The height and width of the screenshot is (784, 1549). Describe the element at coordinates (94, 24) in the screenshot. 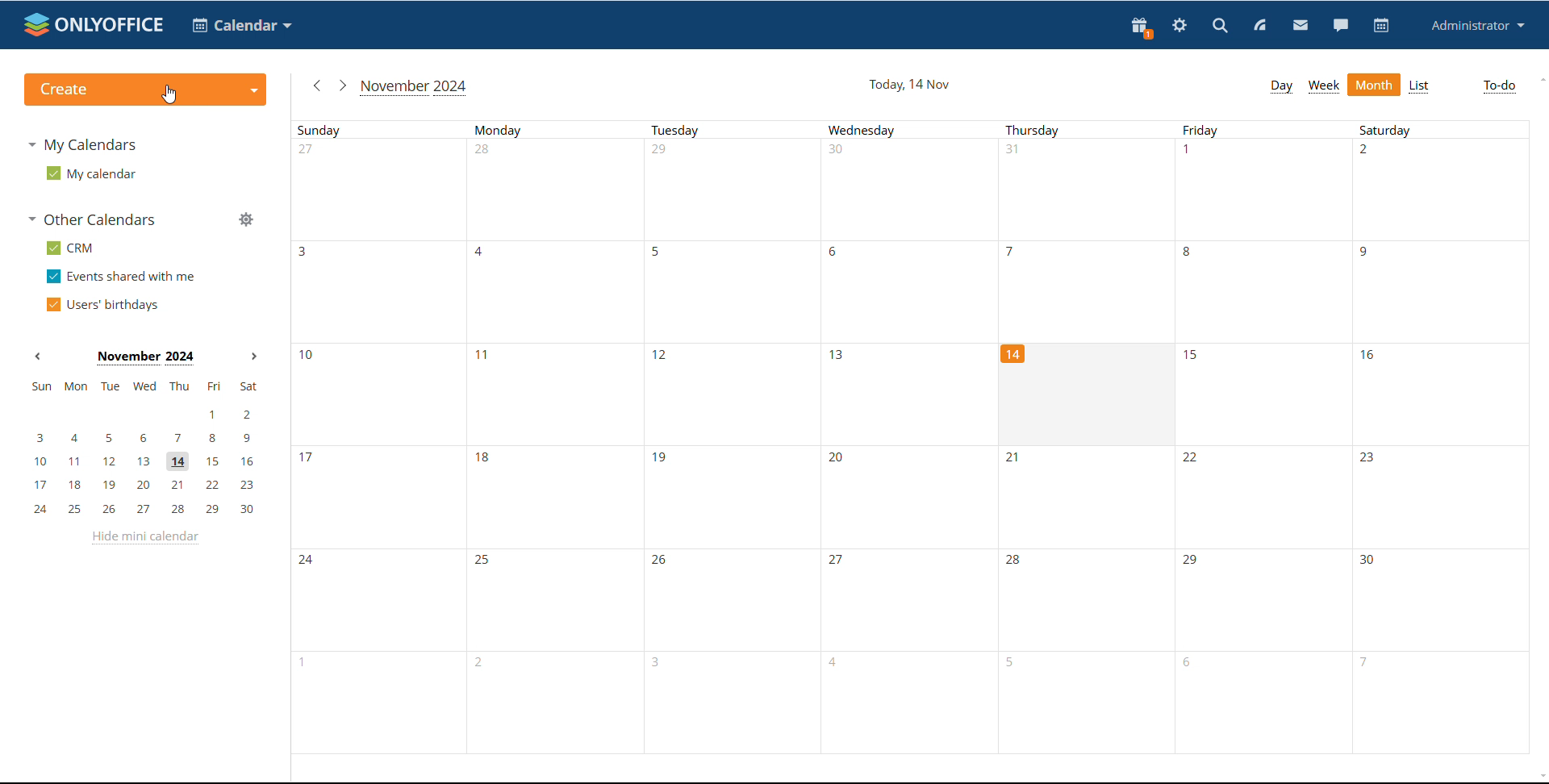

I see `logo` at that location.